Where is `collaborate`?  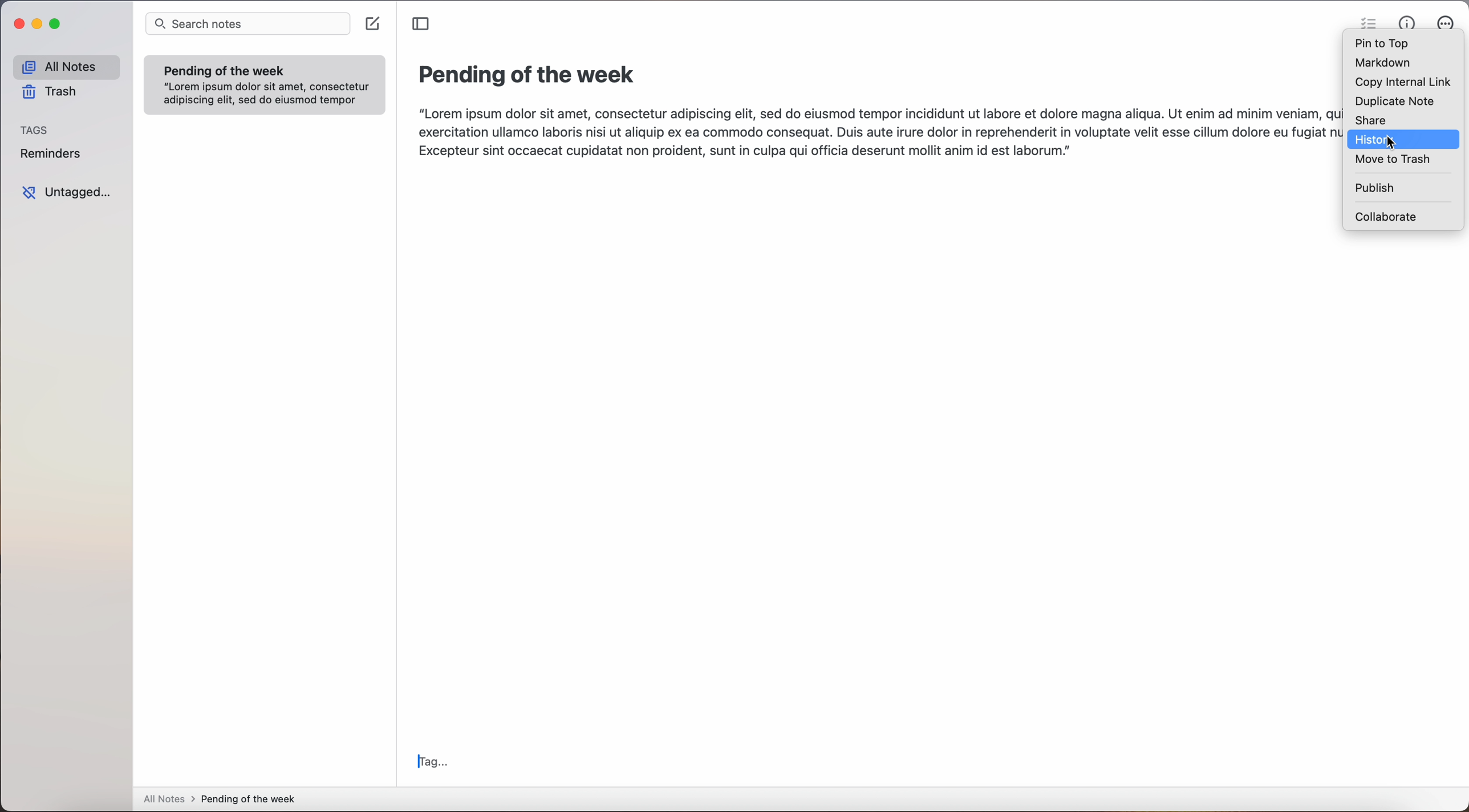
collaborate is located at coordinates (1385, 216).